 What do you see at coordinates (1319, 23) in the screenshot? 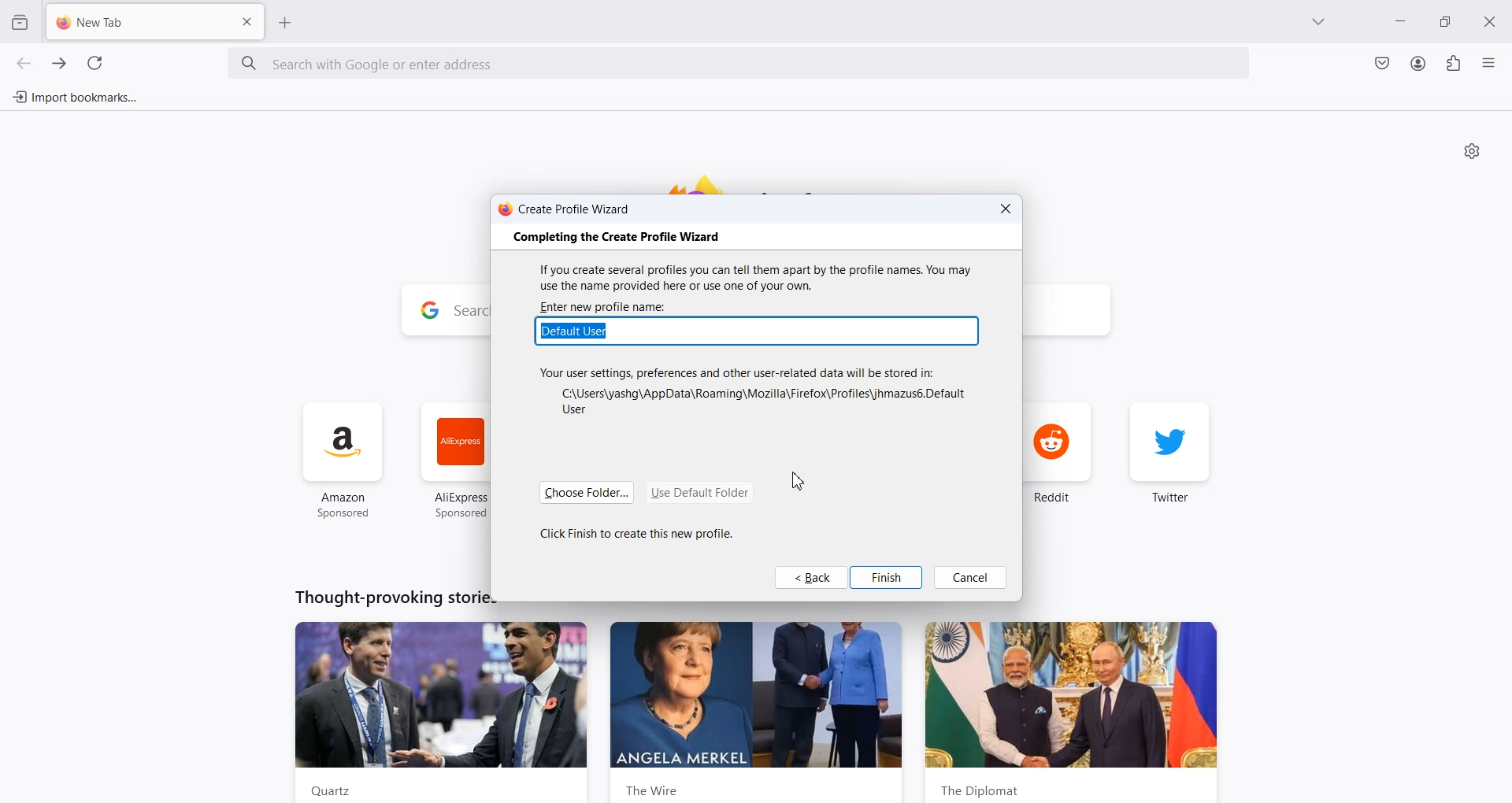
I see `List all tab` at bounding box center [1319, 23].